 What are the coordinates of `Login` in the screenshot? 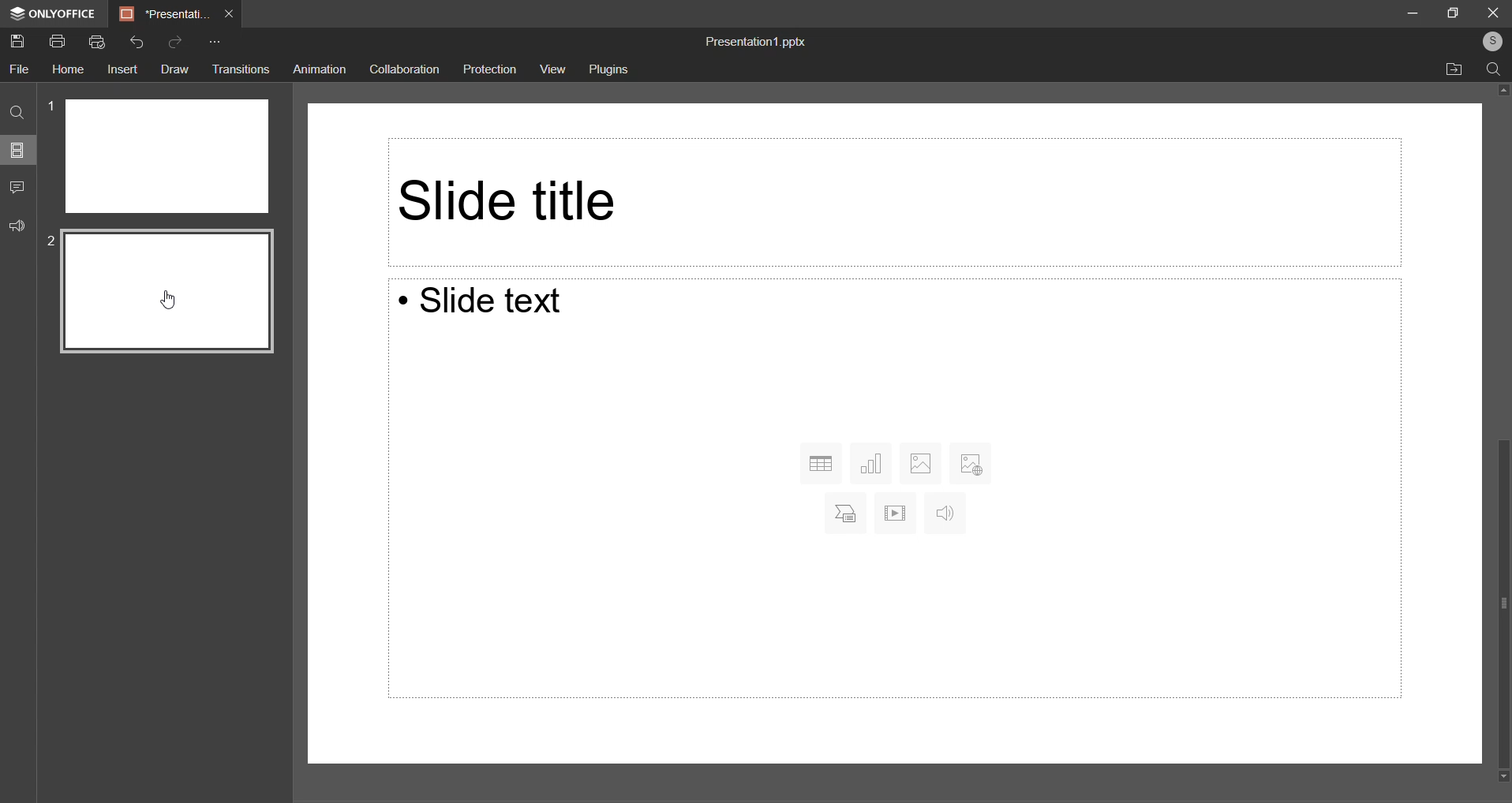 It's located at (1489, 43).